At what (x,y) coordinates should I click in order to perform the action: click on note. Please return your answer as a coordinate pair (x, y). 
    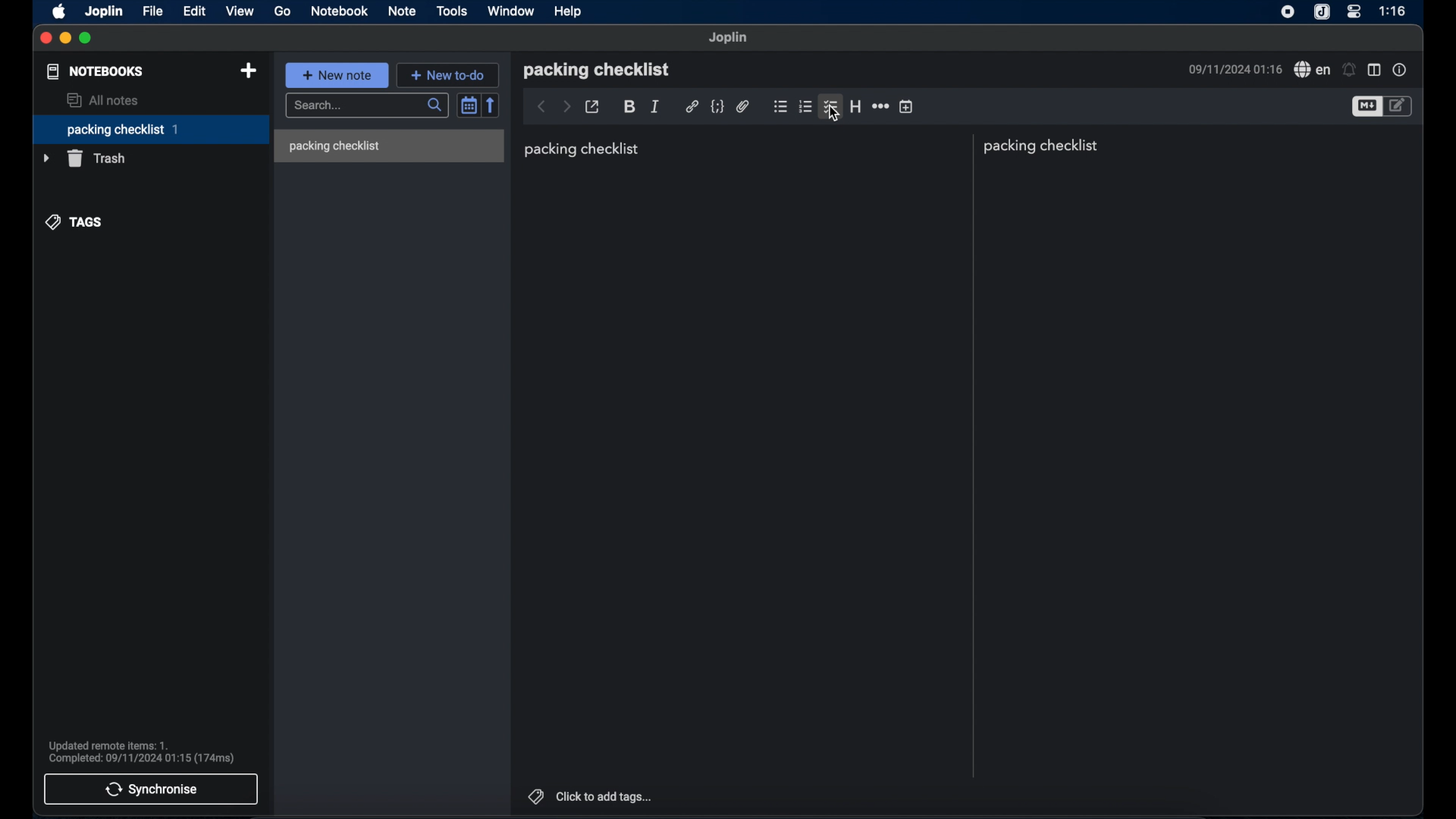
    Looking at the image, I should click on (403, 11).